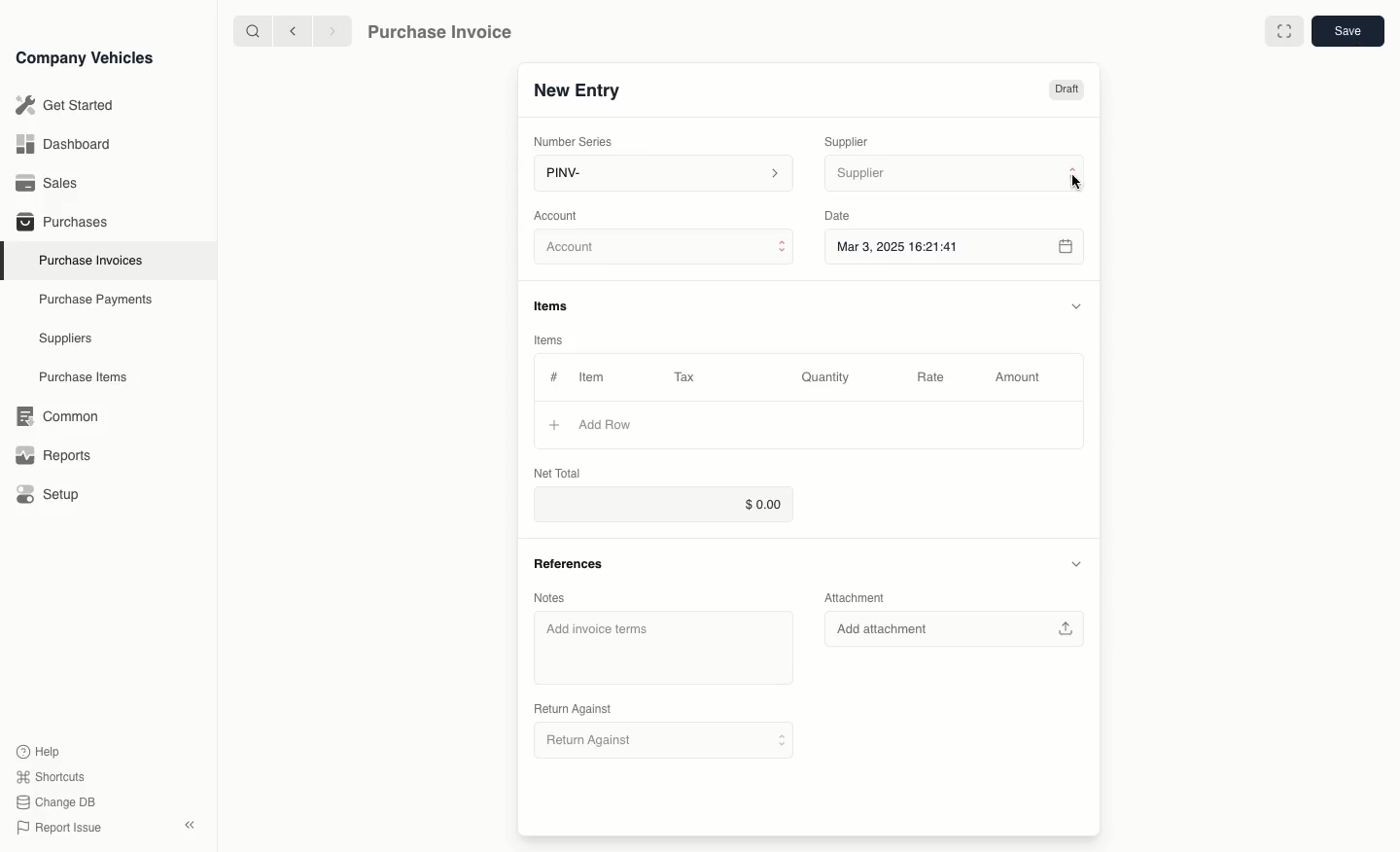 The width and height of the screenshot is (1400, 852). I want to click on Common, so click(52, 416).